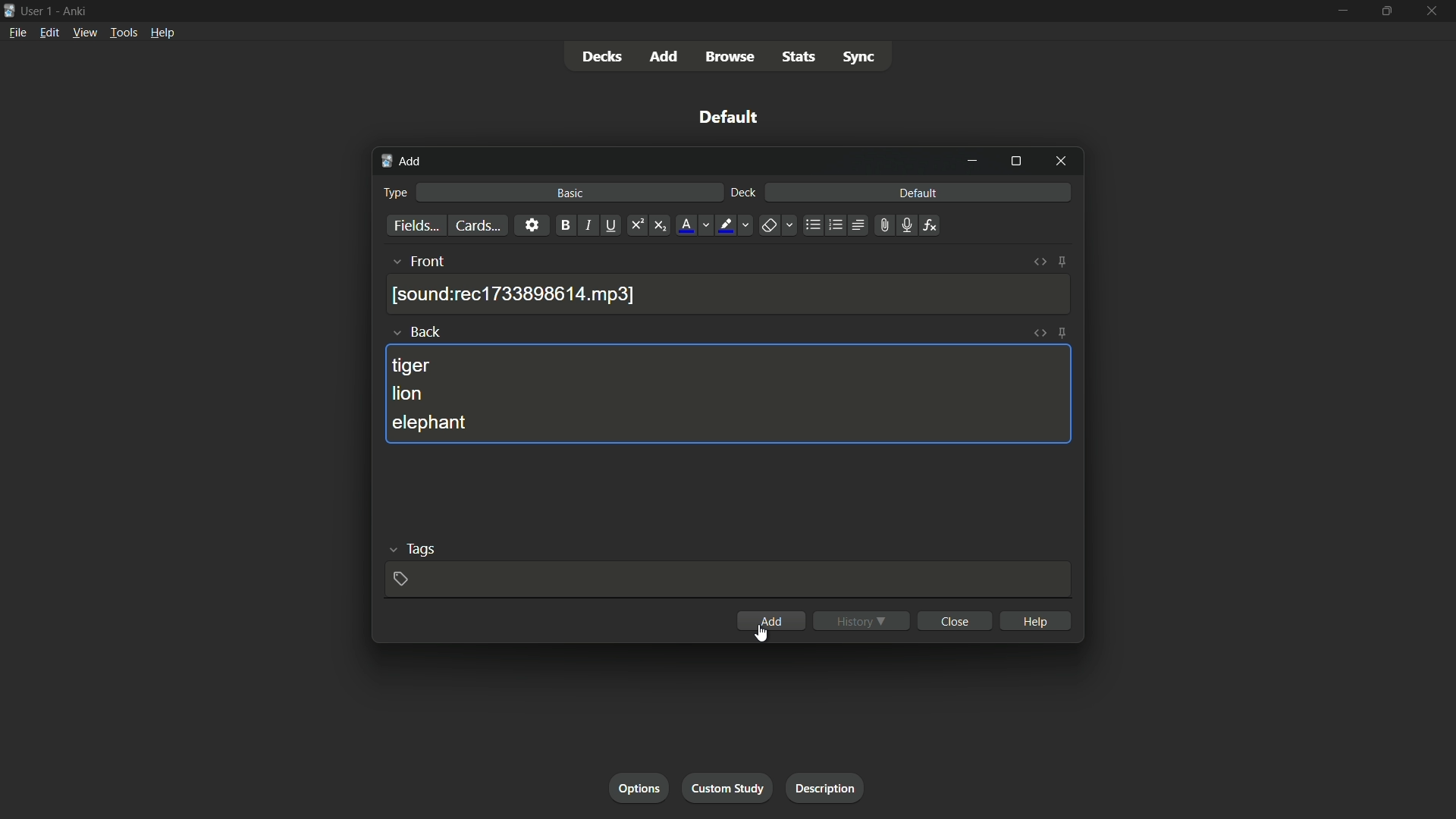 Image resolution: width=1456 pixels, height=819 pixels. Describe the element at coordinates (397, 192) in the screenshot. I see `type` at that location.